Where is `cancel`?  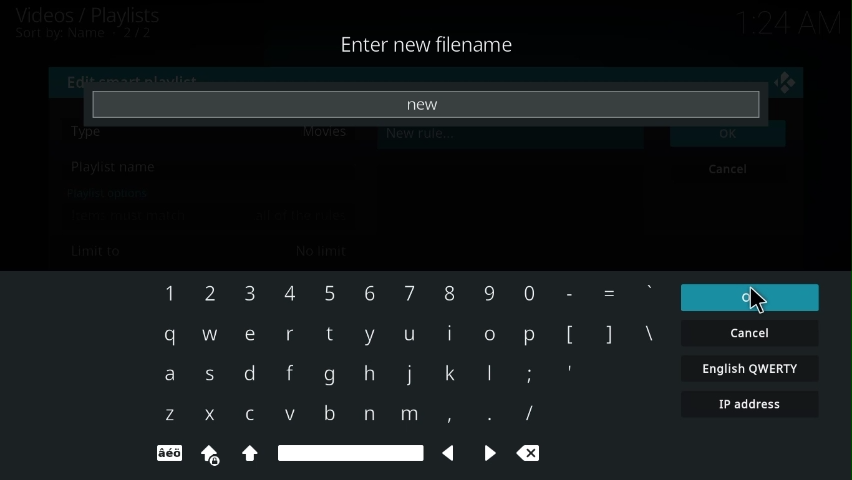 cancel is located at coordinates (751, 332).